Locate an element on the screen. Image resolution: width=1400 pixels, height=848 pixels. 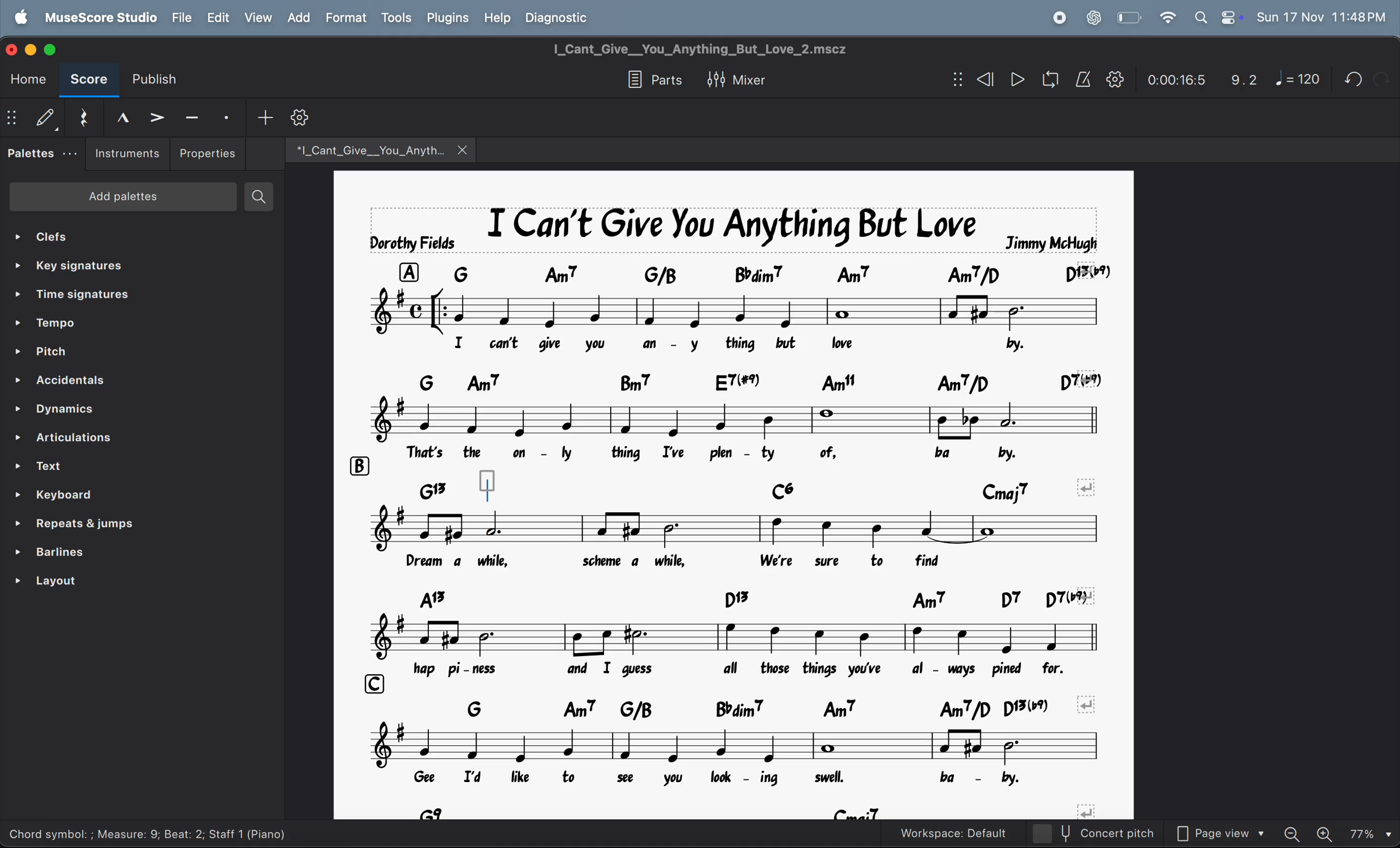
music files is located at coordinates (380, 149).